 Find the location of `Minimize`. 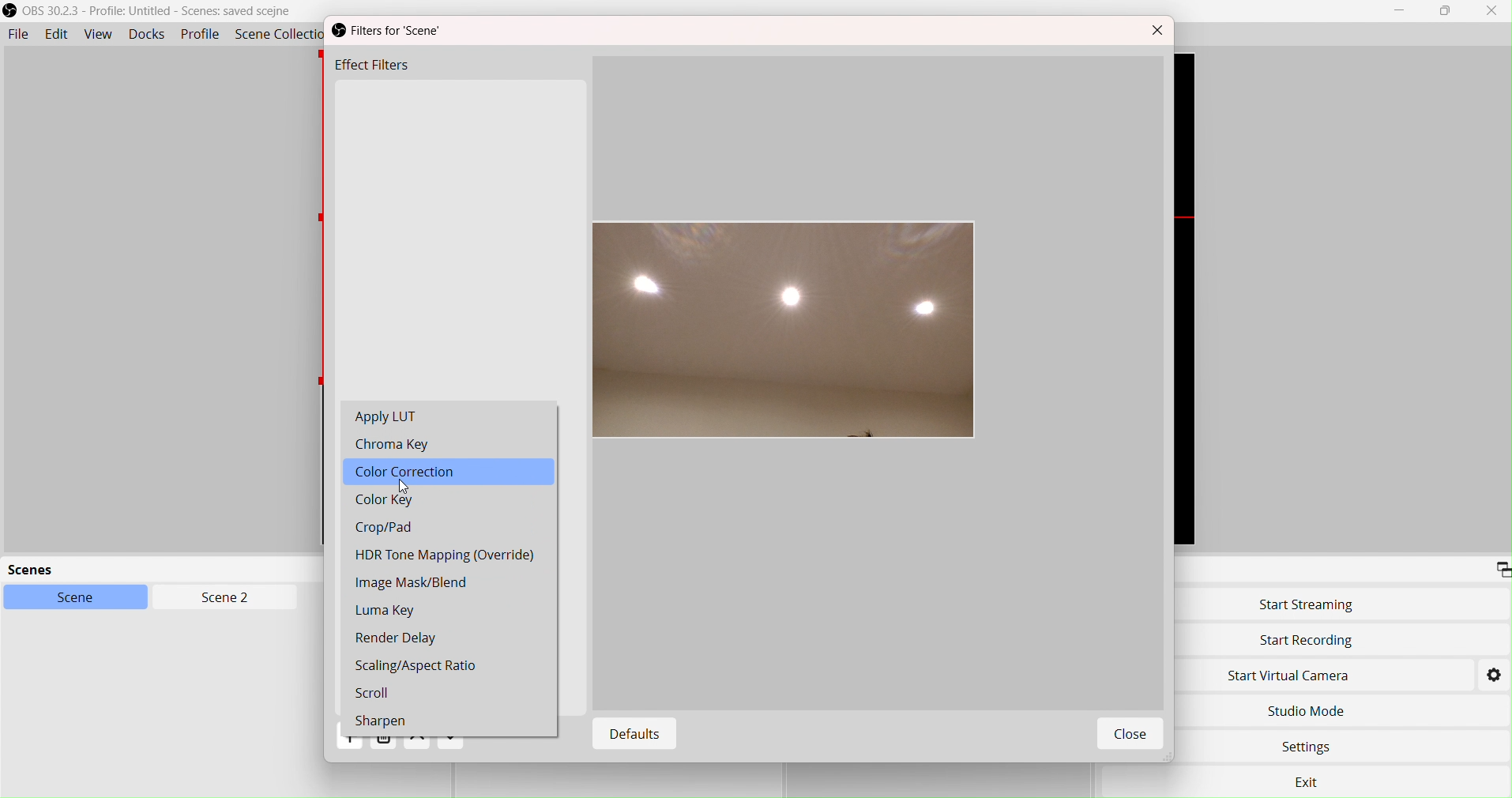

Minimize is located at coordinates (1400, 10).